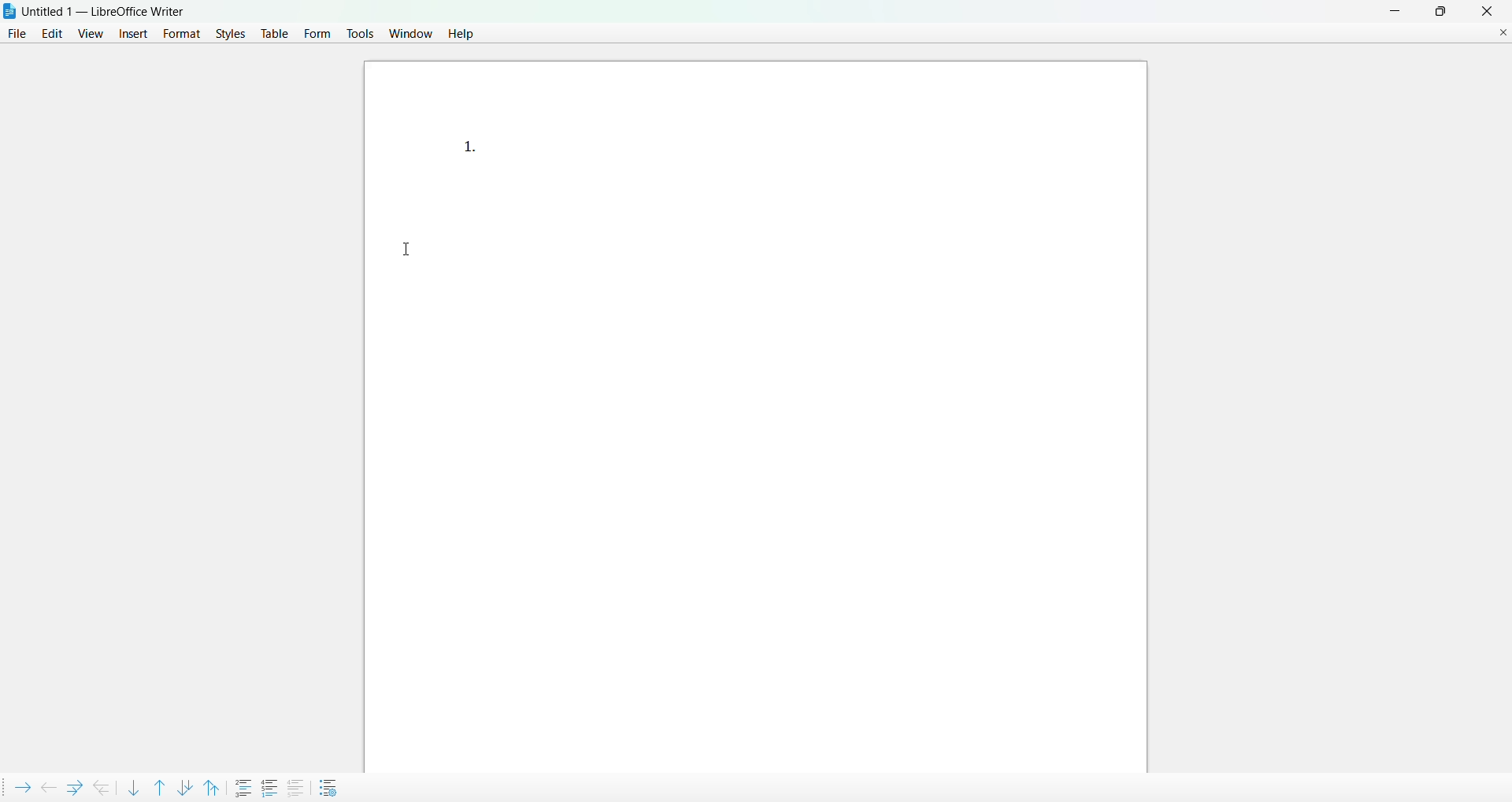 Image resolution: width=1512 pixels, height=802 pixels. What do you see at coordinates (468, 144) in the screenshot?
I see `list point 1` at bounding box center [468, 144].